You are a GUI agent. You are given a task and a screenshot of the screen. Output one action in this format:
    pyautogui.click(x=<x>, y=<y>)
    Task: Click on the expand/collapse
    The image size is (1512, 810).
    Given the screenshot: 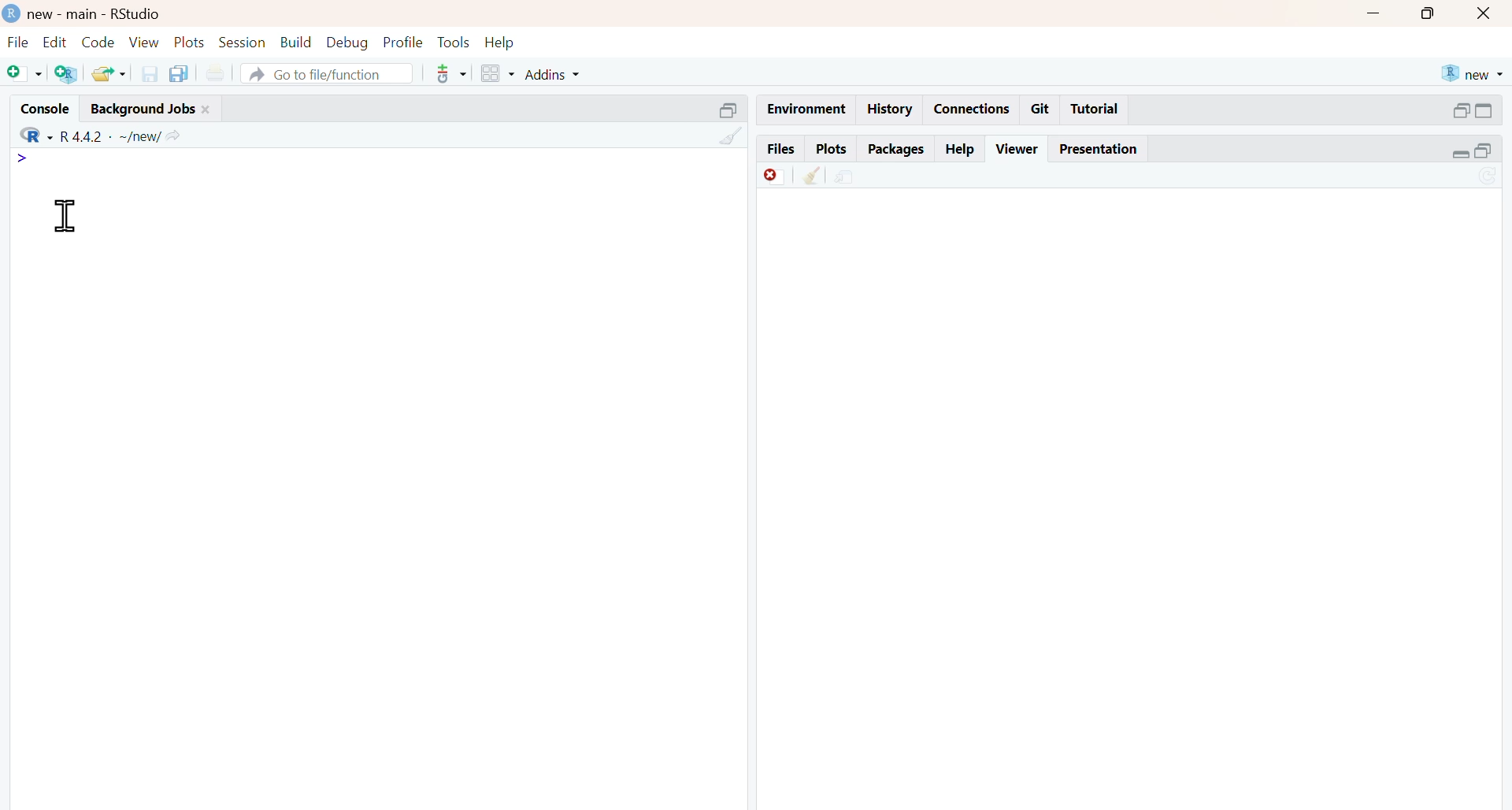 What is the action you would take?
    pyautogui.click(x=1462, y=154)
    